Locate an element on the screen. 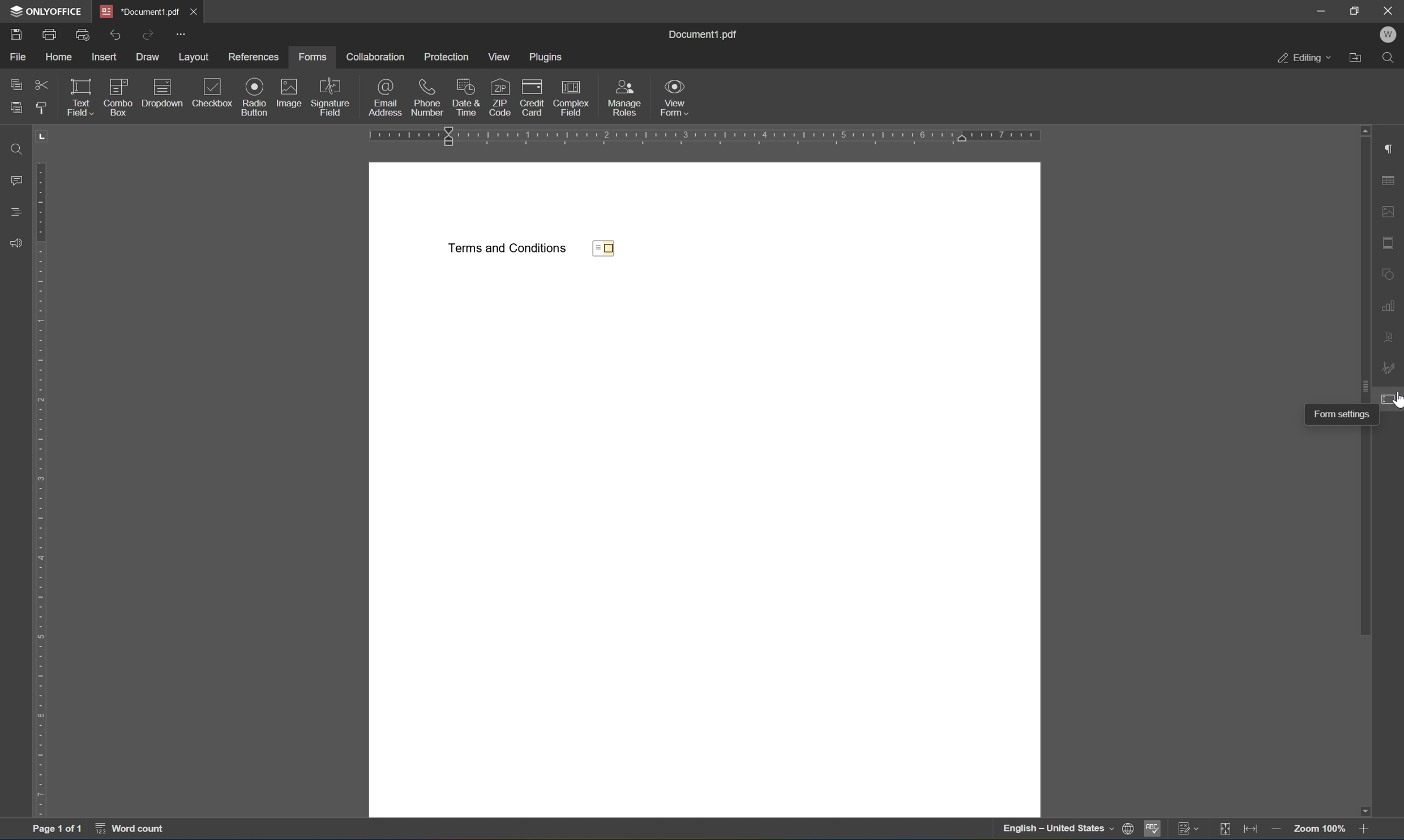  English ~ United States is located at coordinates (1052, 829).